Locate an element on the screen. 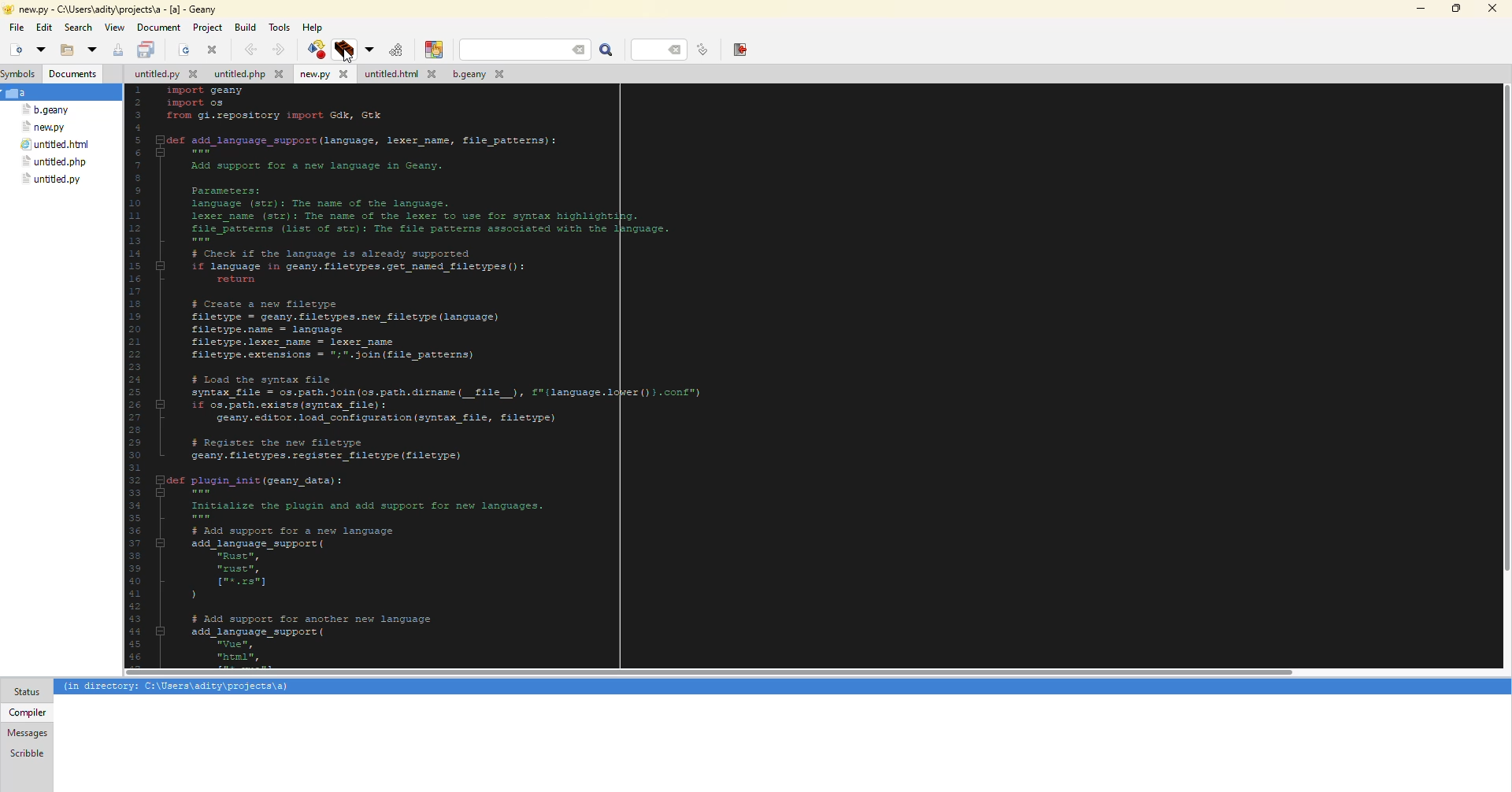 The image size is (1512, 792). scribble is located at coordinates (25, 753).